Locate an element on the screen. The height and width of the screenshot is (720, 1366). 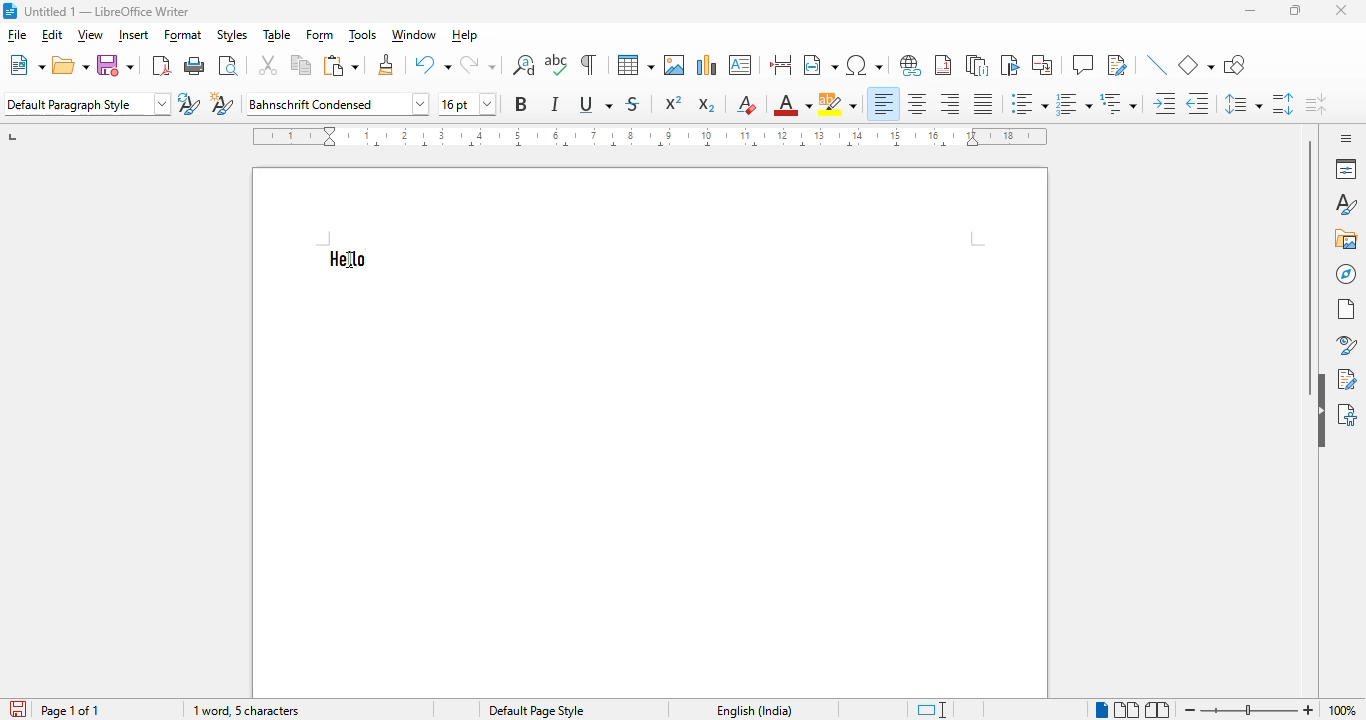
insert bookmark is located at coordinates (1009, 65).